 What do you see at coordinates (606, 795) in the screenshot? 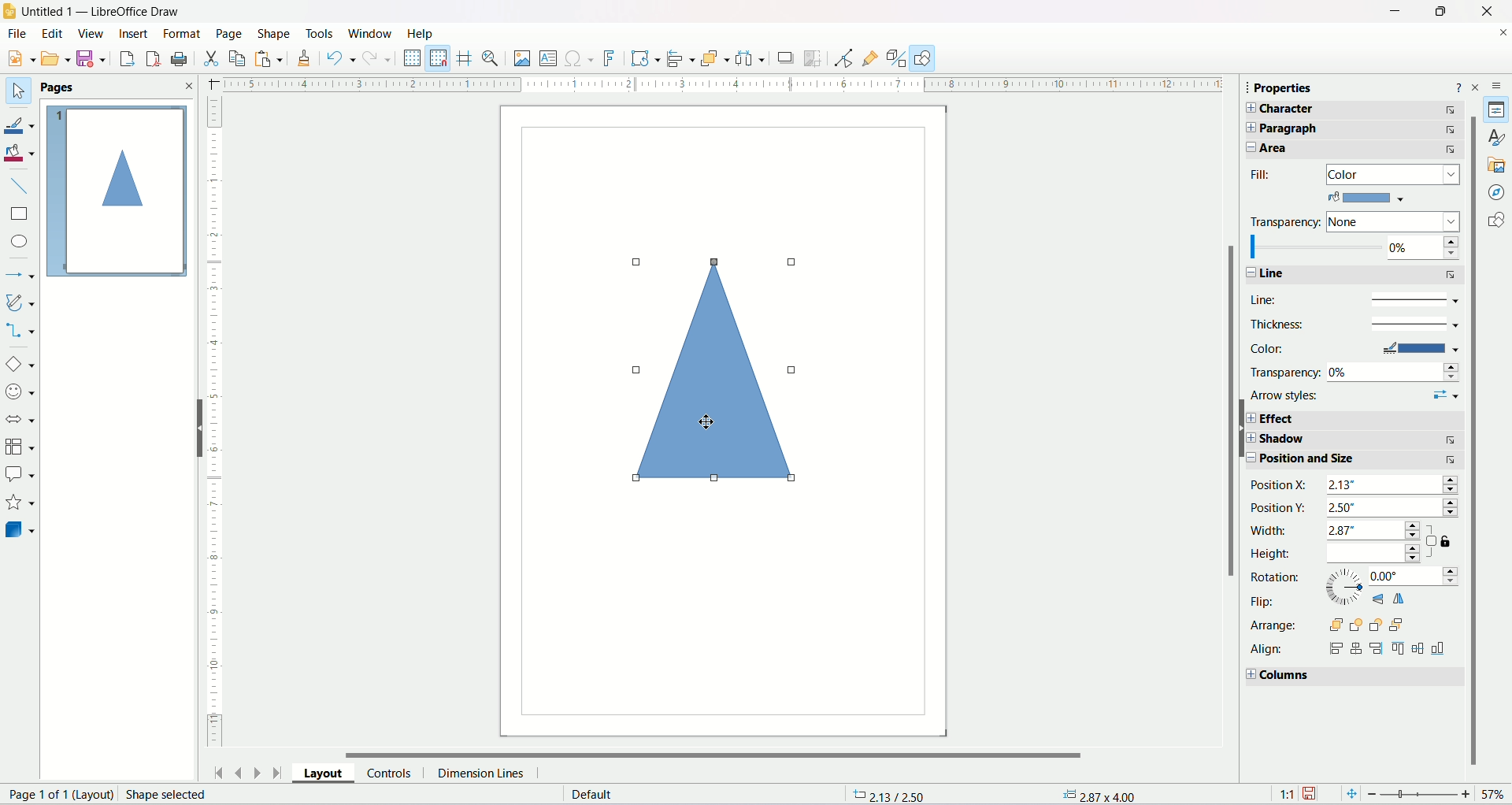
I see `Text` at bounding box center [606, 795].